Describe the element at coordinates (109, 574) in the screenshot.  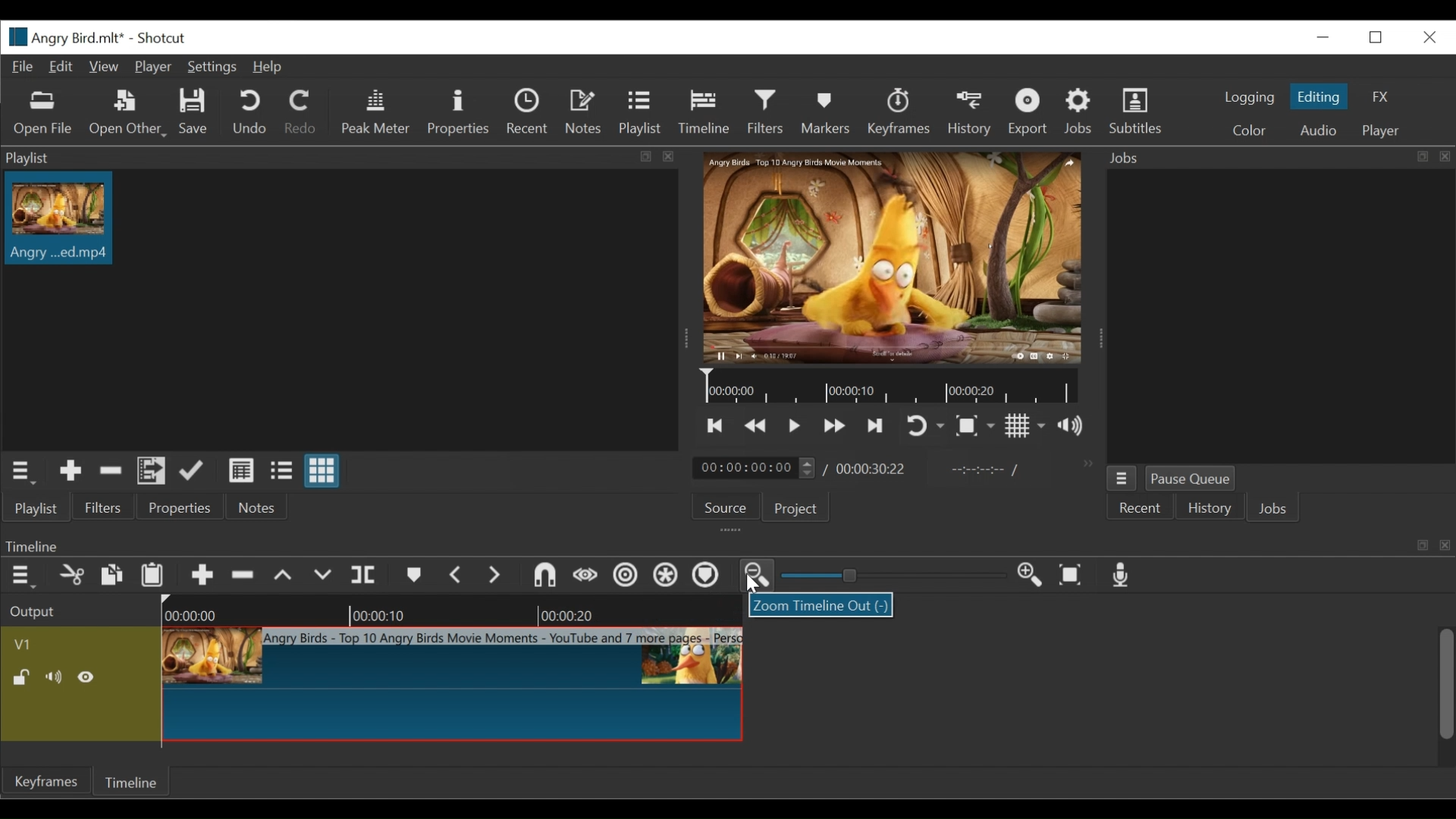
I see `copy` at that location.